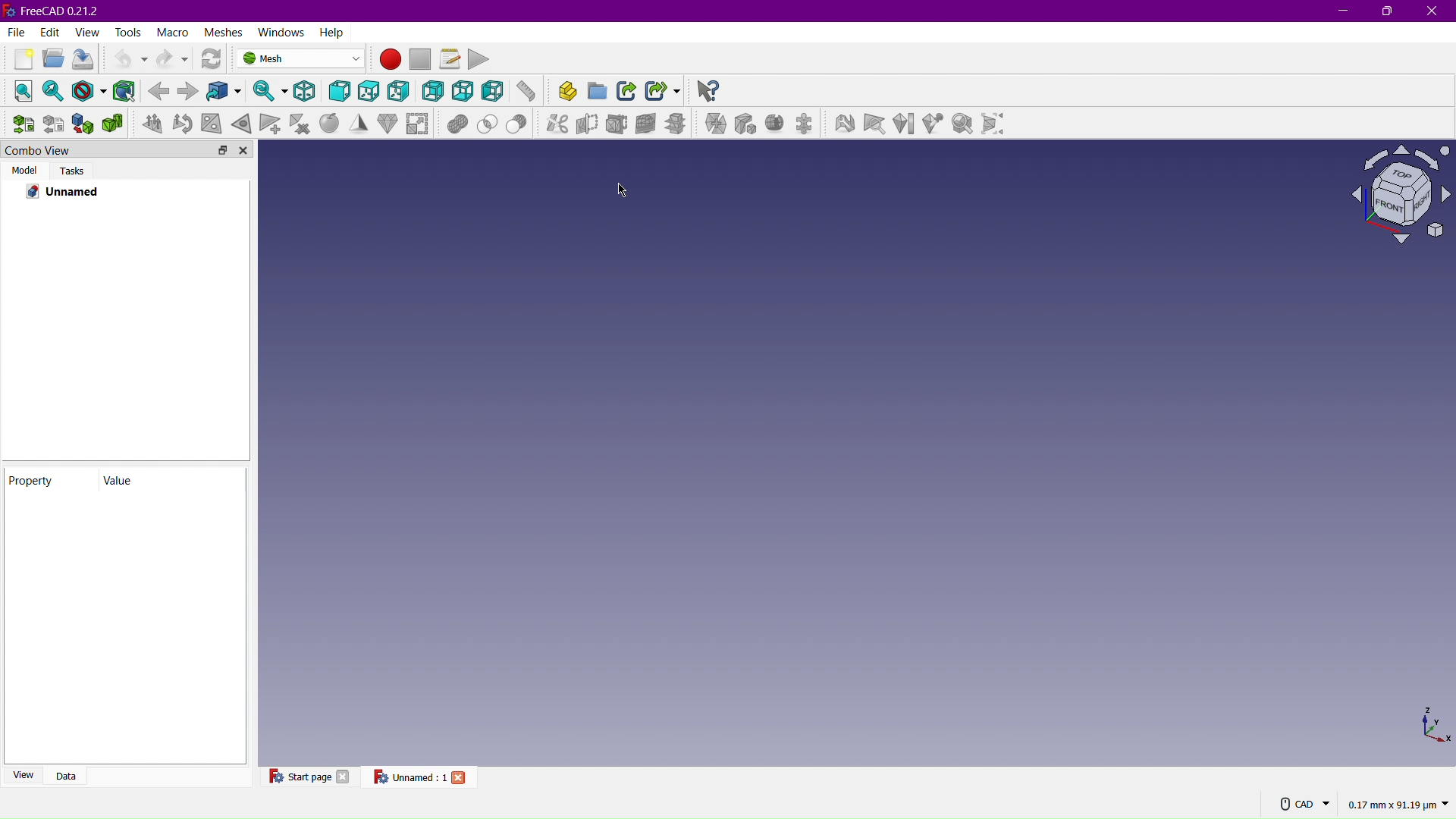 The image size is (1456, 819). Describe the element at coordinates (458, 123) in the screenshot. I see `Union` at that location.